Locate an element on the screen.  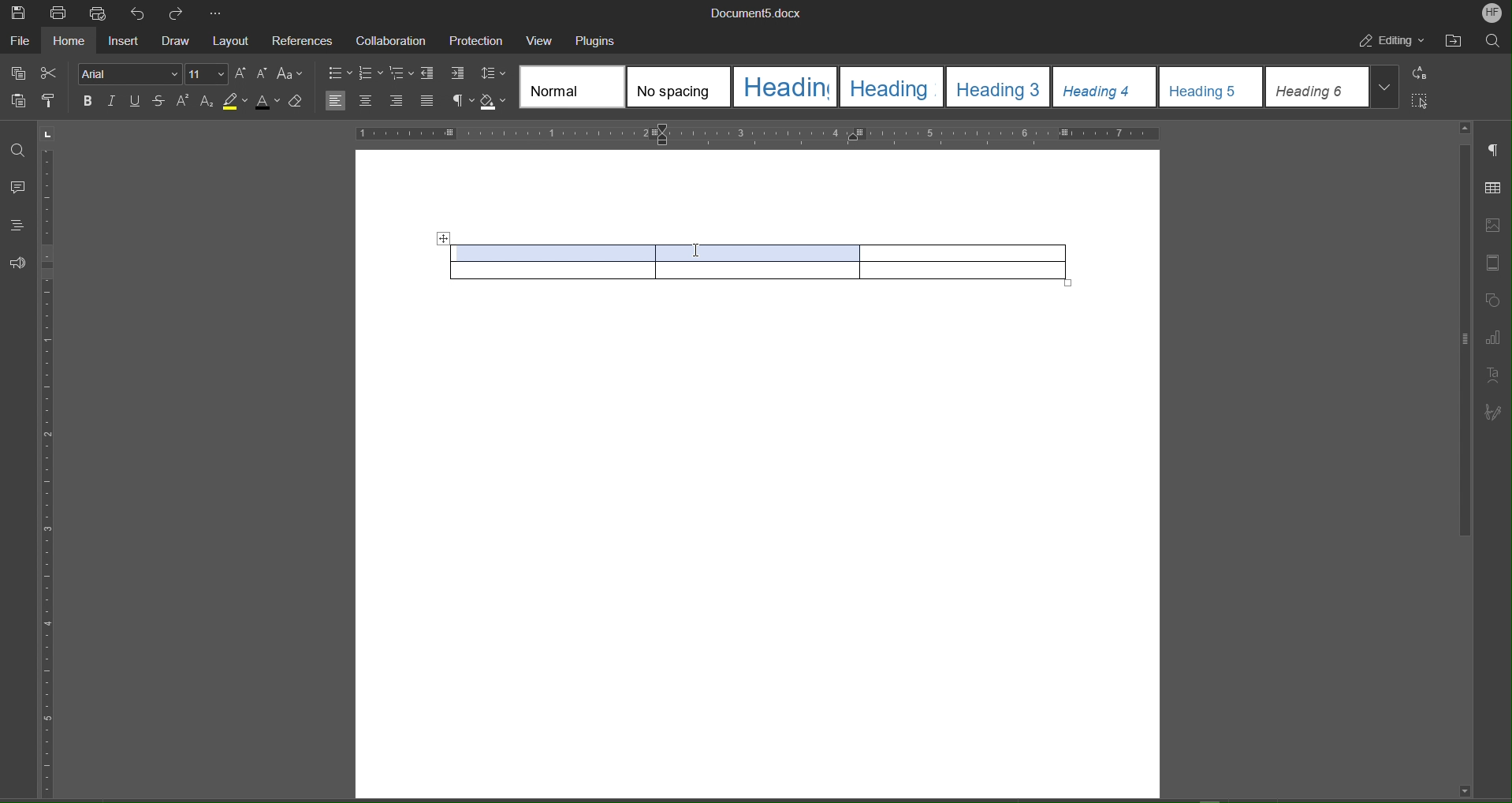
Comment is located at coordinates (19, 189).